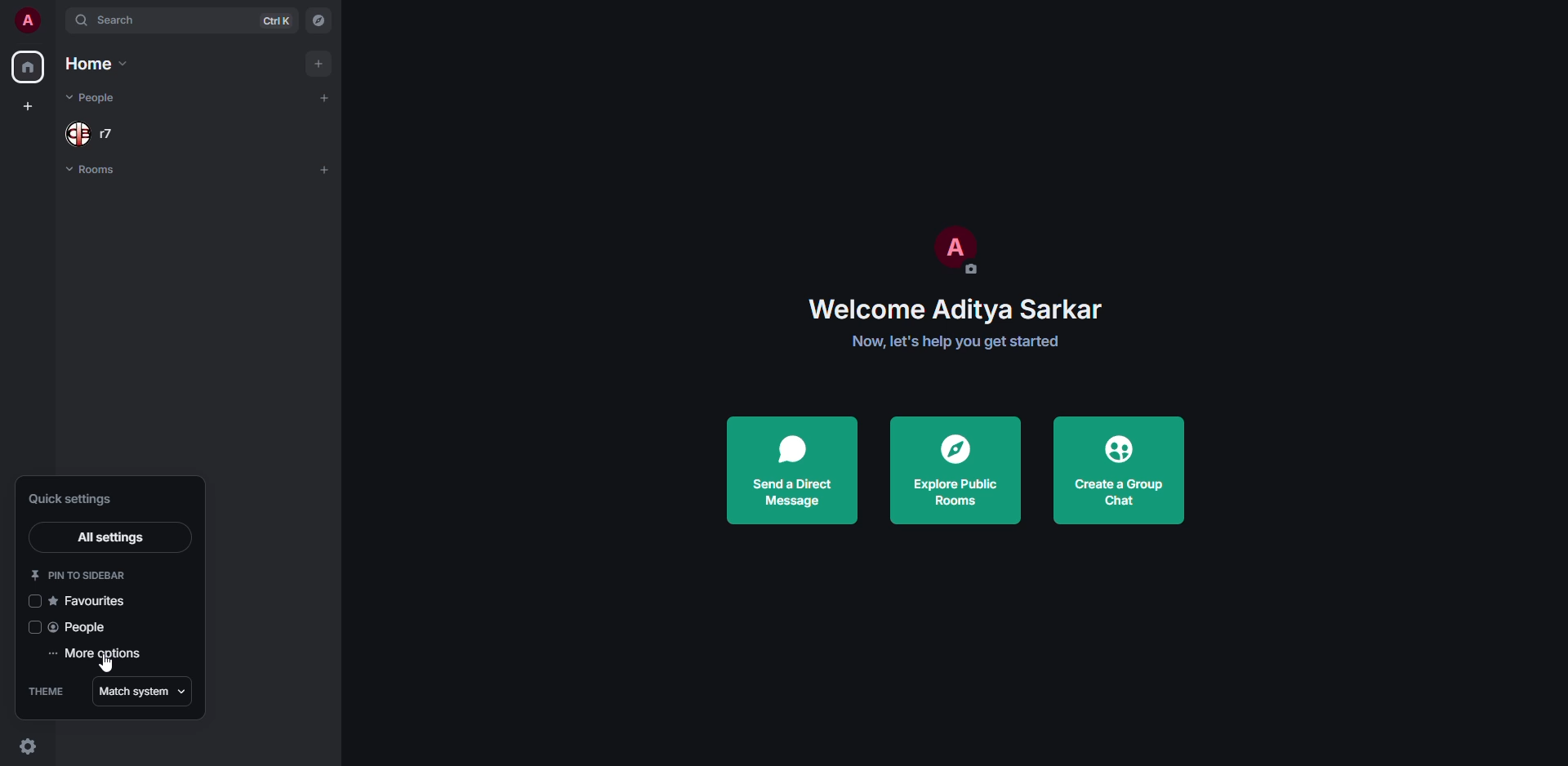  Describe the element at coordinates (26, 746) in the screenshot. I see `quick settings` at that location.